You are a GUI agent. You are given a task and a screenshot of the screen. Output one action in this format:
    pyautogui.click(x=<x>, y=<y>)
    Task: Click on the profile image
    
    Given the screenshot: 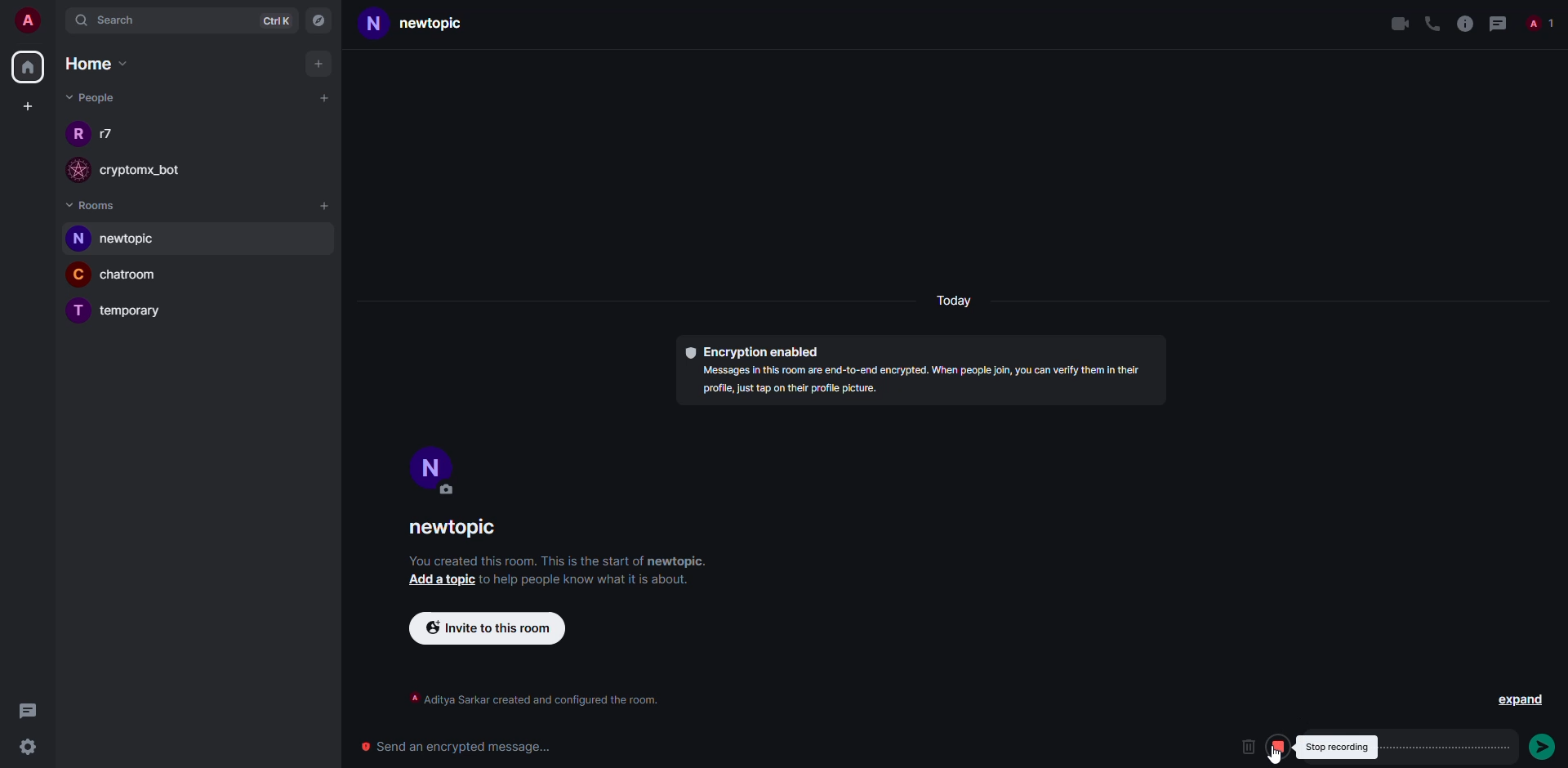 What is the action you would take?
    pyautogui.click(x=79, y=170)
    